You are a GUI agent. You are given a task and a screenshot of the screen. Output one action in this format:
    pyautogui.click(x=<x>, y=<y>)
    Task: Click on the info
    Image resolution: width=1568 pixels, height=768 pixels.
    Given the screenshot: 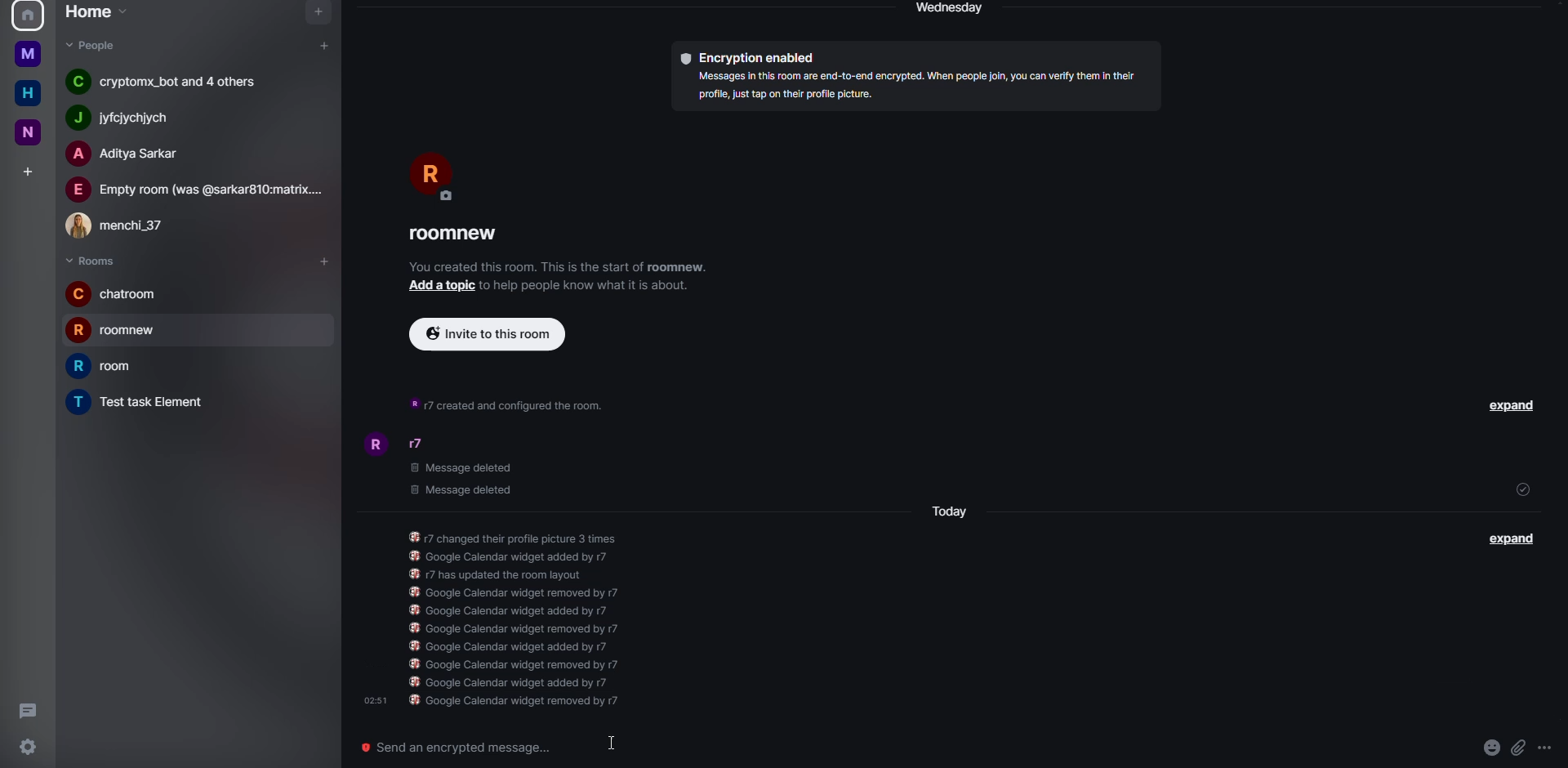 What is the action you would take?
    pyautogui.click(x=510, y=402)
    